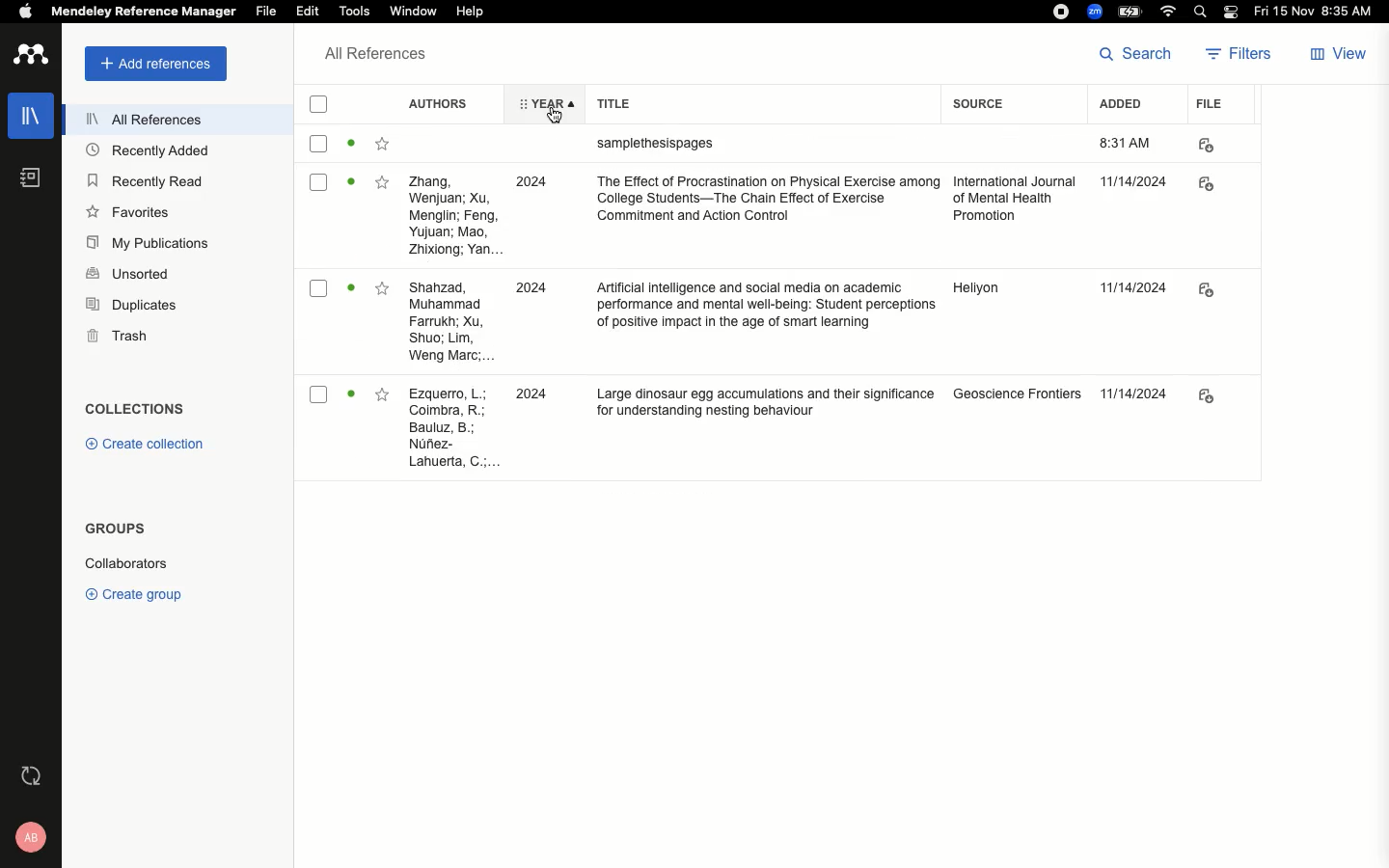  Describe the element at coordinates (539, 393) in the screenshot. I see `year of publication` at that location.